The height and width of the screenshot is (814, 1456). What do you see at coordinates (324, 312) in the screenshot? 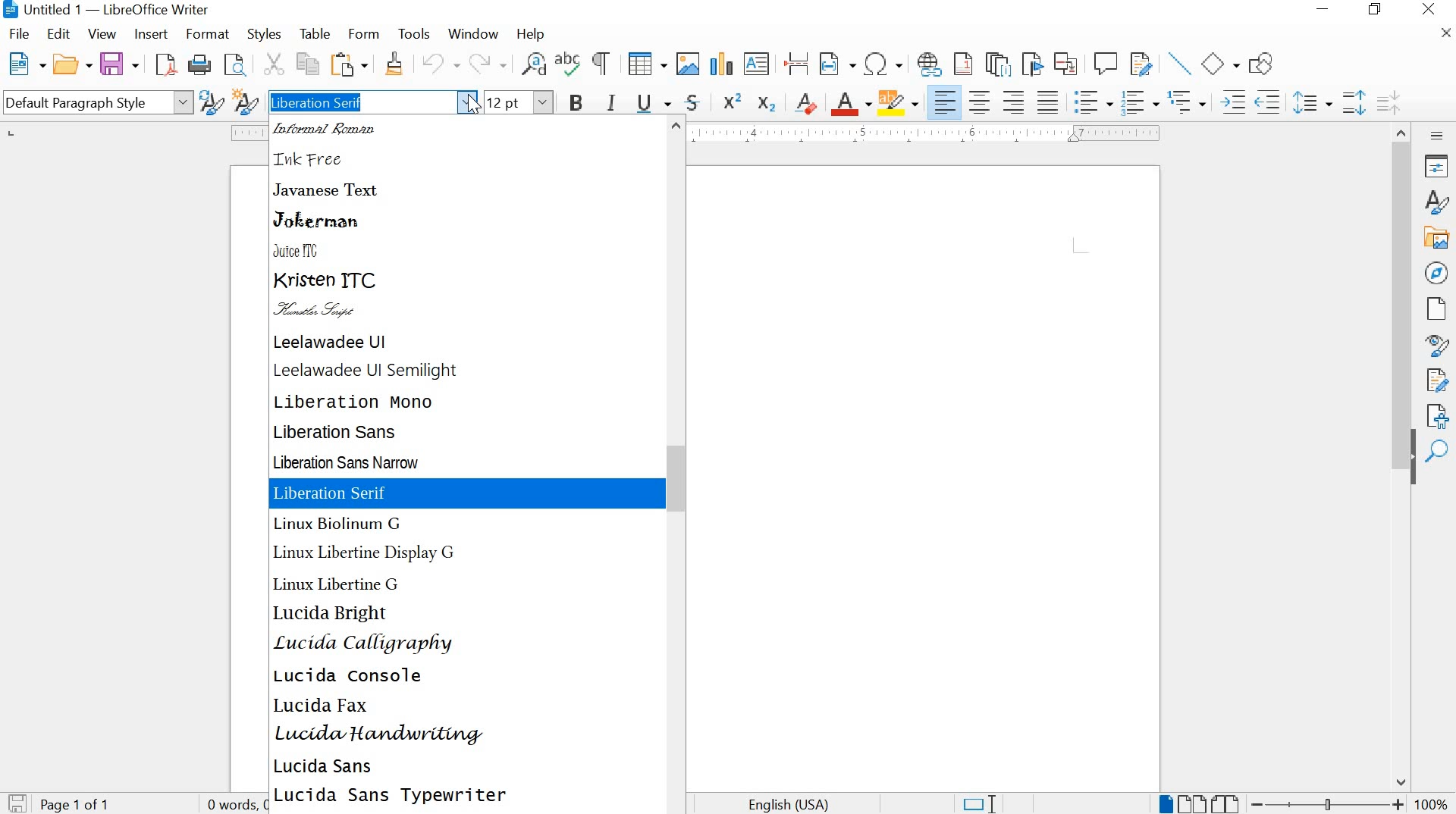
I see `SCRIPT` at bounding box center [324, 312].